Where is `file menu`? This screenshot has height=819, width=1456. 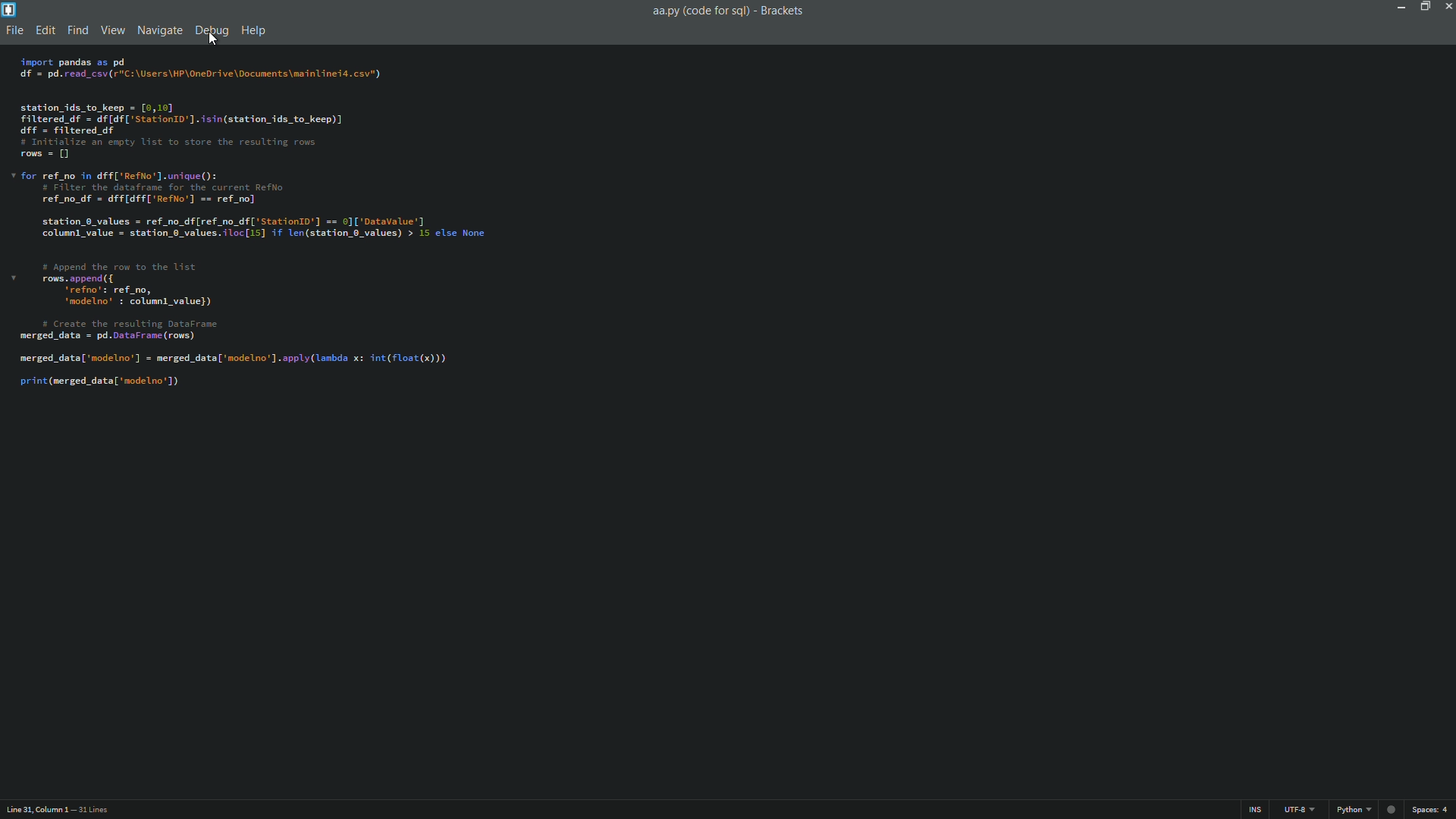
file menu is located at coordinates (15, 30).